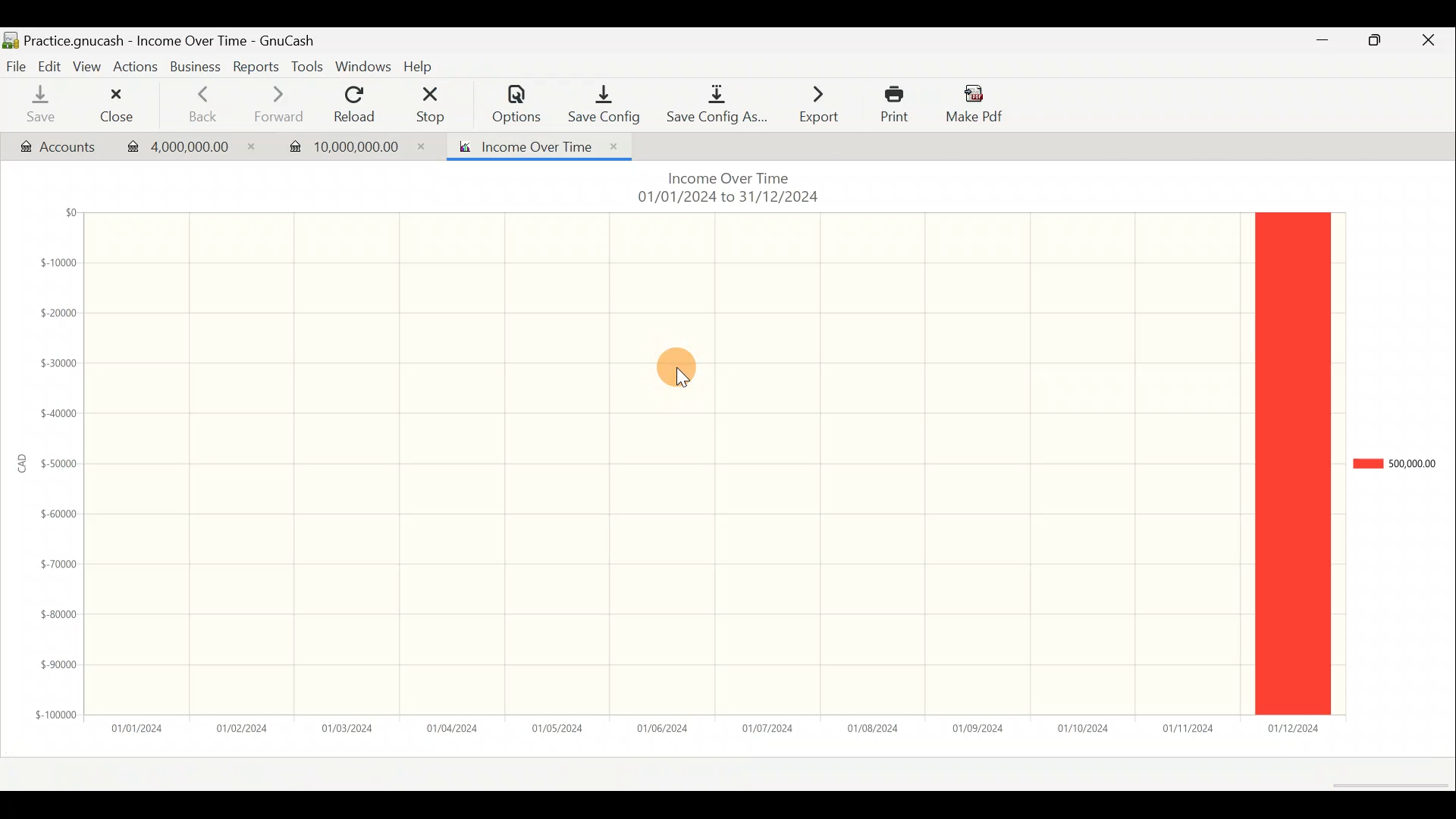 The height and width of the screenshot is (819, 1456). What do you see at coordinates (453, 728) in the screenshot?
I see `01/04/2024` at bounding box center [453, 728].